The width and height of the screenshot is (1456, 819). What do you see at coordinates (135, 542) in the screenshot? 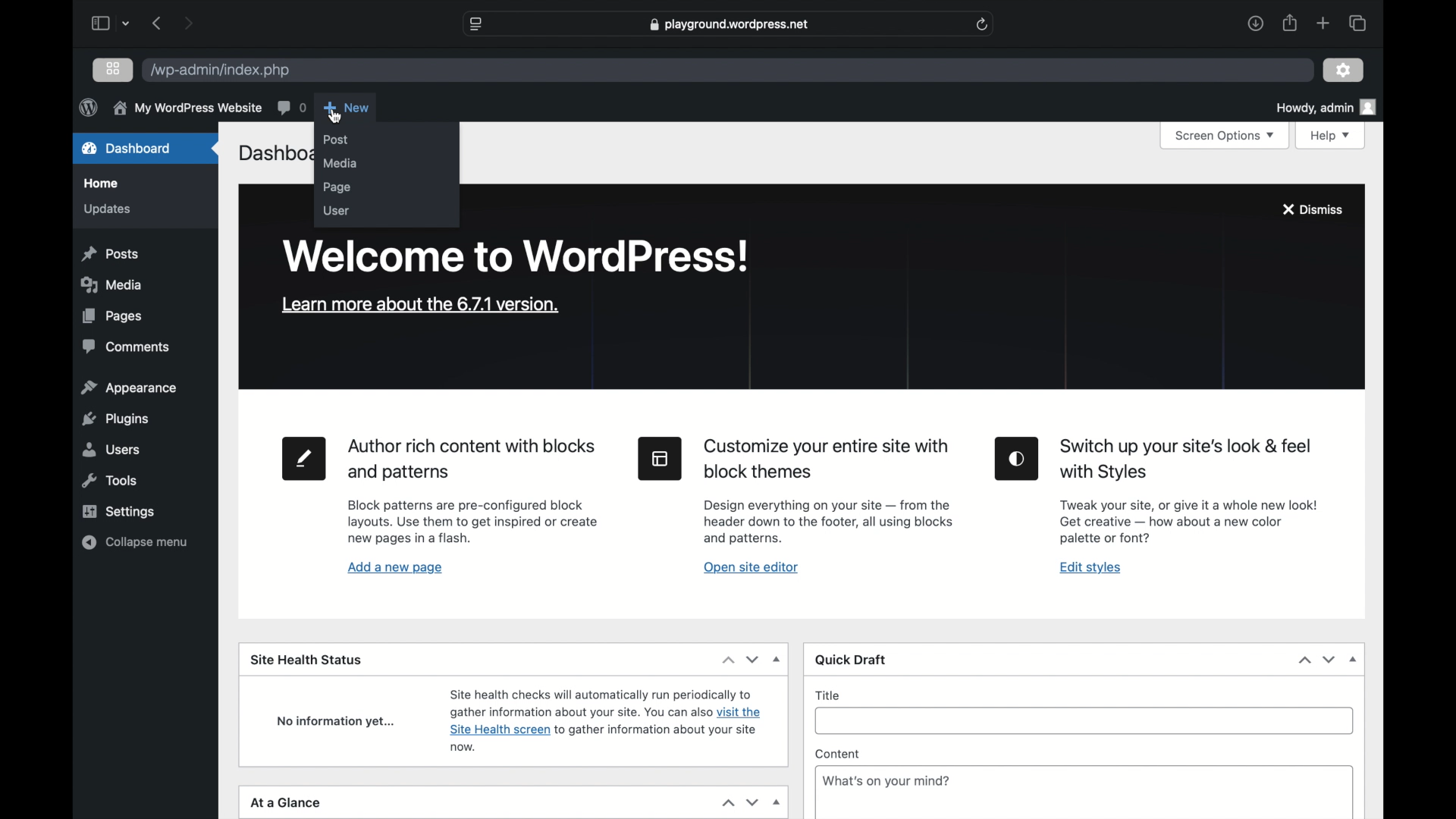
I see `collapse menu` at bounding box center [135, 542].